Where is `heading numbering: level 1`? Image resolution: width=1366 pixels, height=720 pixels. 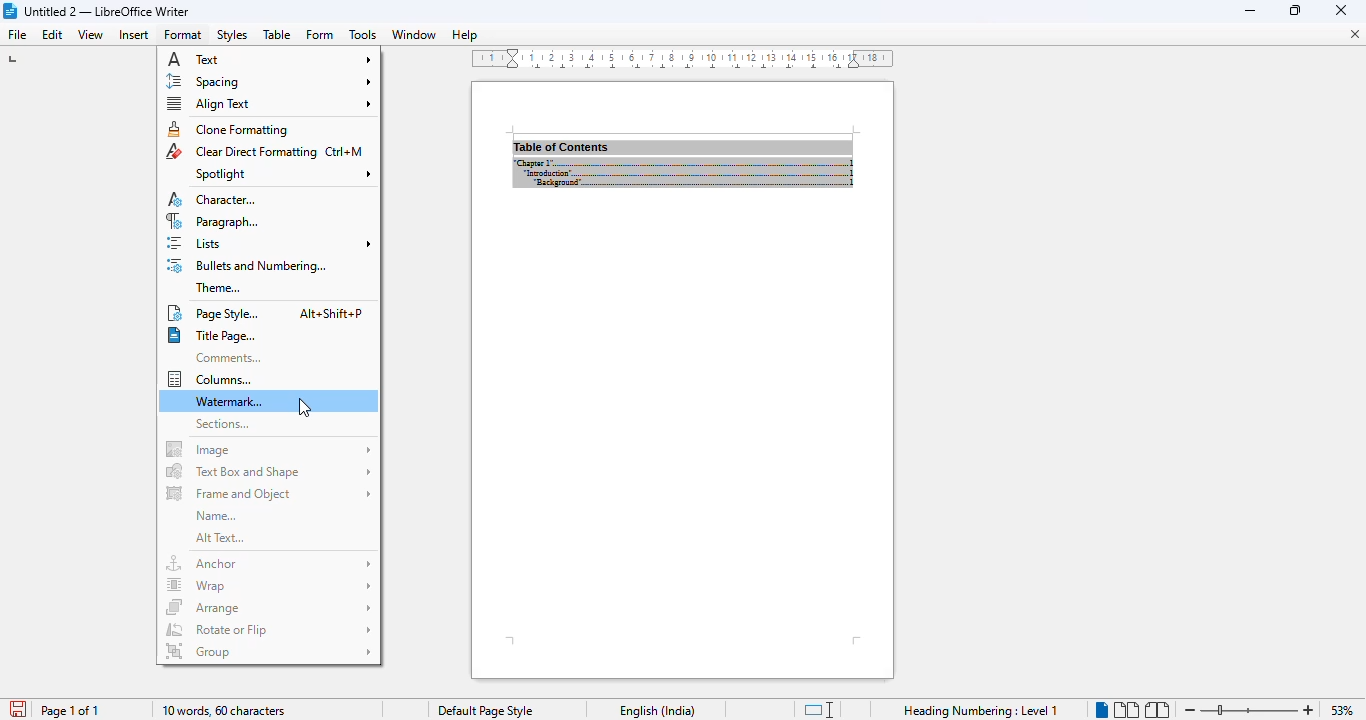
heading numbering: level 1 is located at coordinates (982, 711).